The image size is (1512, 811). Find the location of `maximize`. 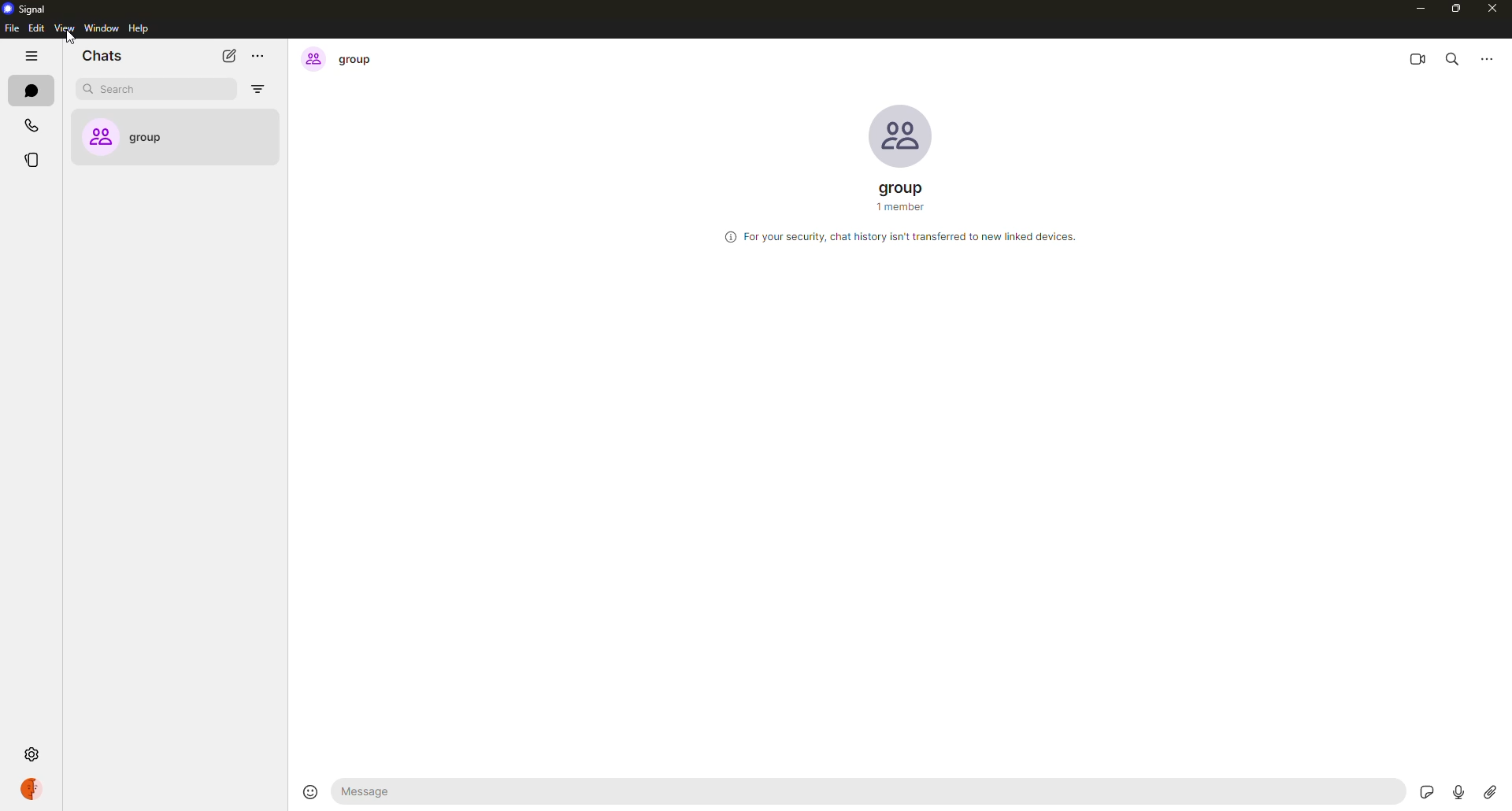

maximize is located at coordinates (1456, 10).